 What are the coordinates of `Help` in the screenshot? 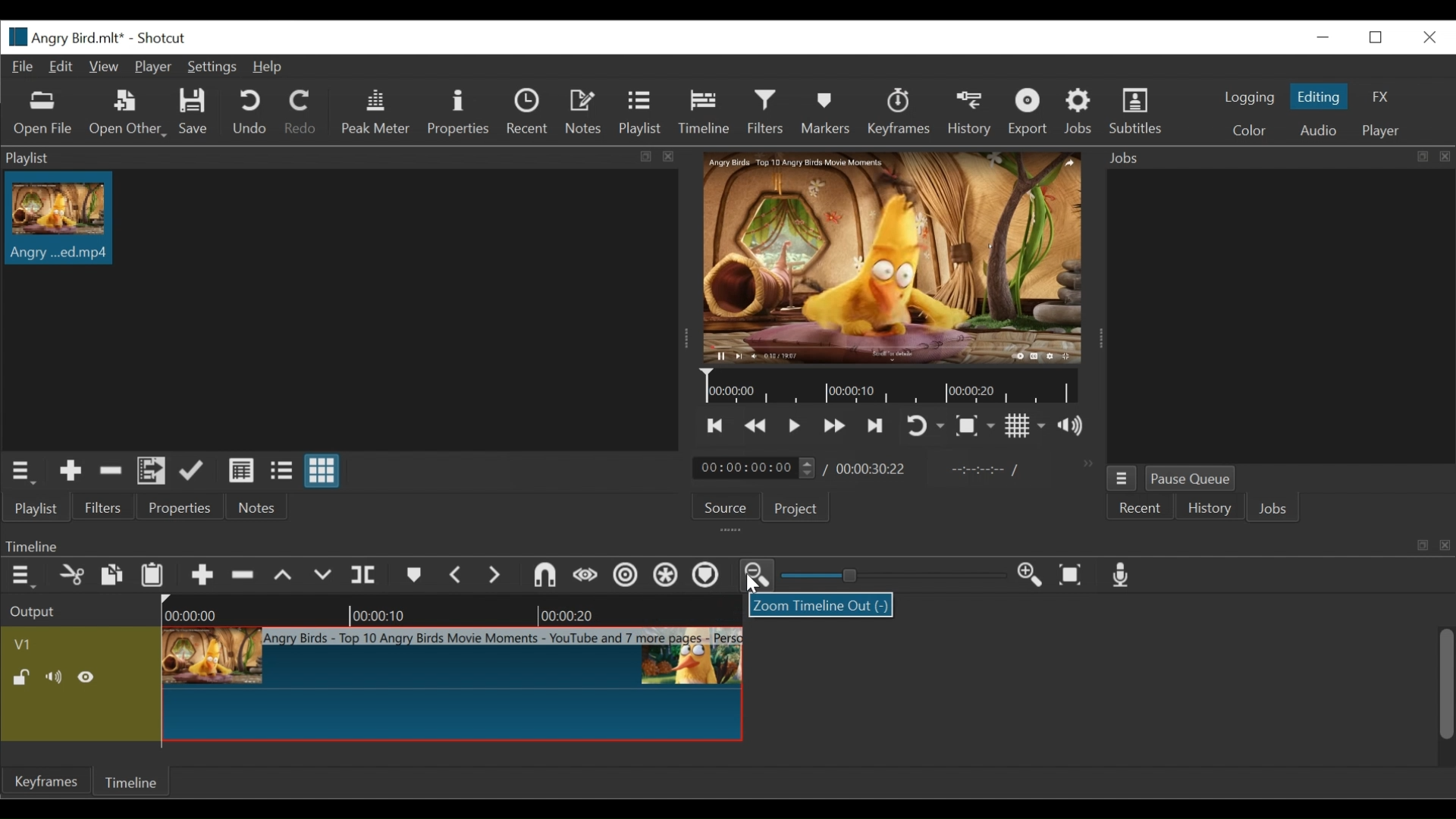 It's located at (272, 67).